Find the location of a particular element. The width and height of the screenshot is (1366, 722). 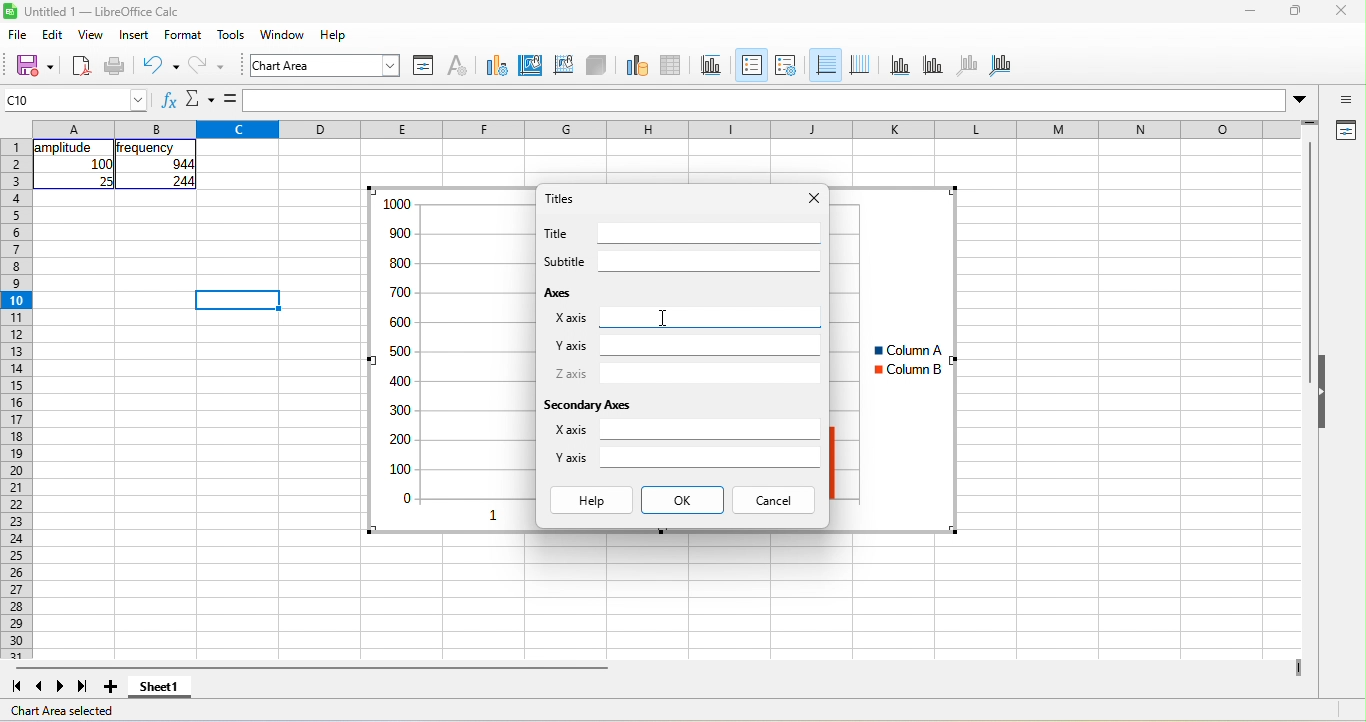

maximize is located at coordinates (1296, 10).